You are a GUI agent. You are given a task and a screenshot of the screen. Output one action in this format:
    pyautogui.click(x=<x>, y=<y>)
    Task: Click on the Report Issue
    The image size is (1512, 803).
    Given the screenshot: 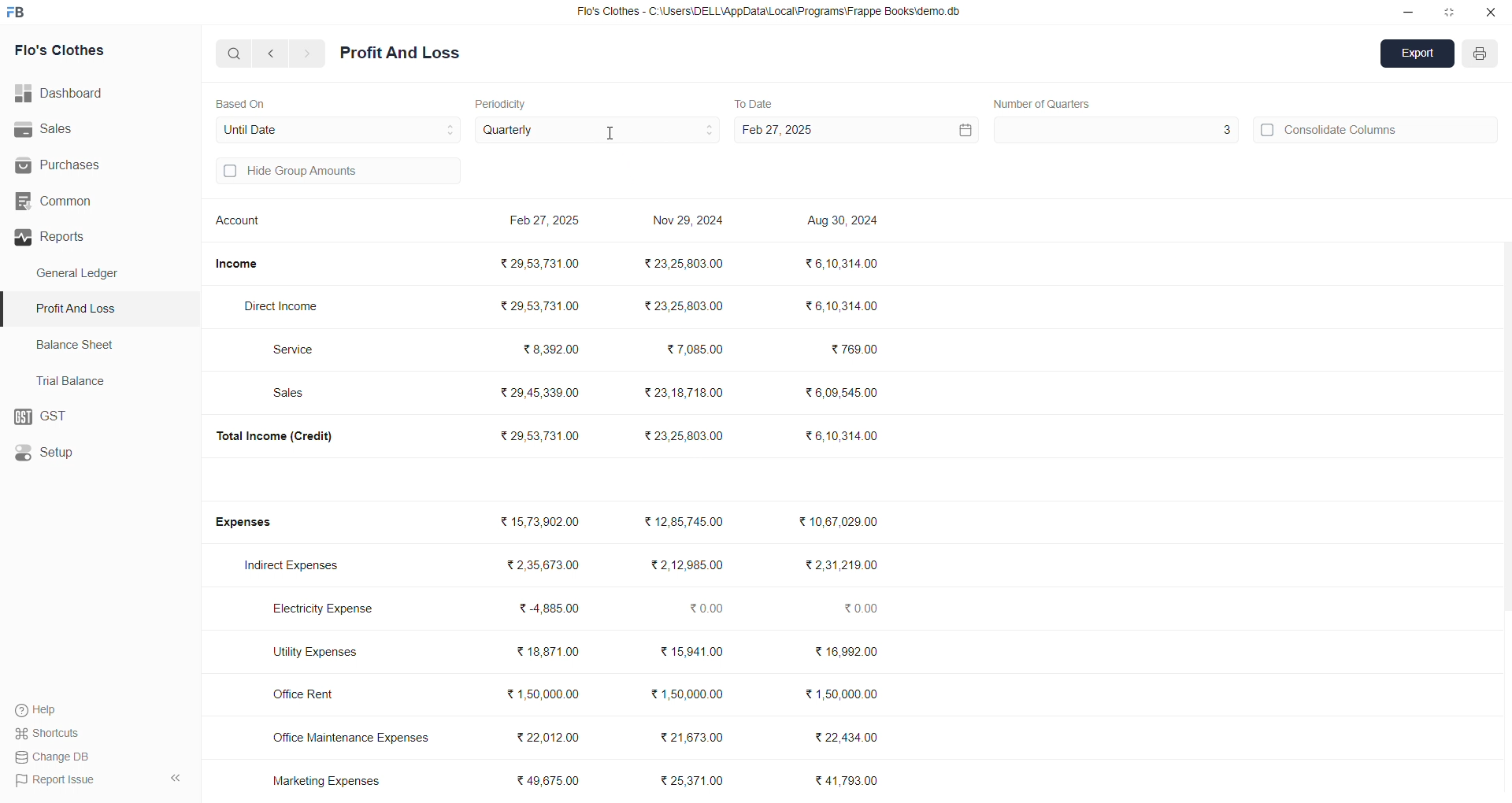 What is the action you would take?
    pyautogui.click(x=56, y=779)
    